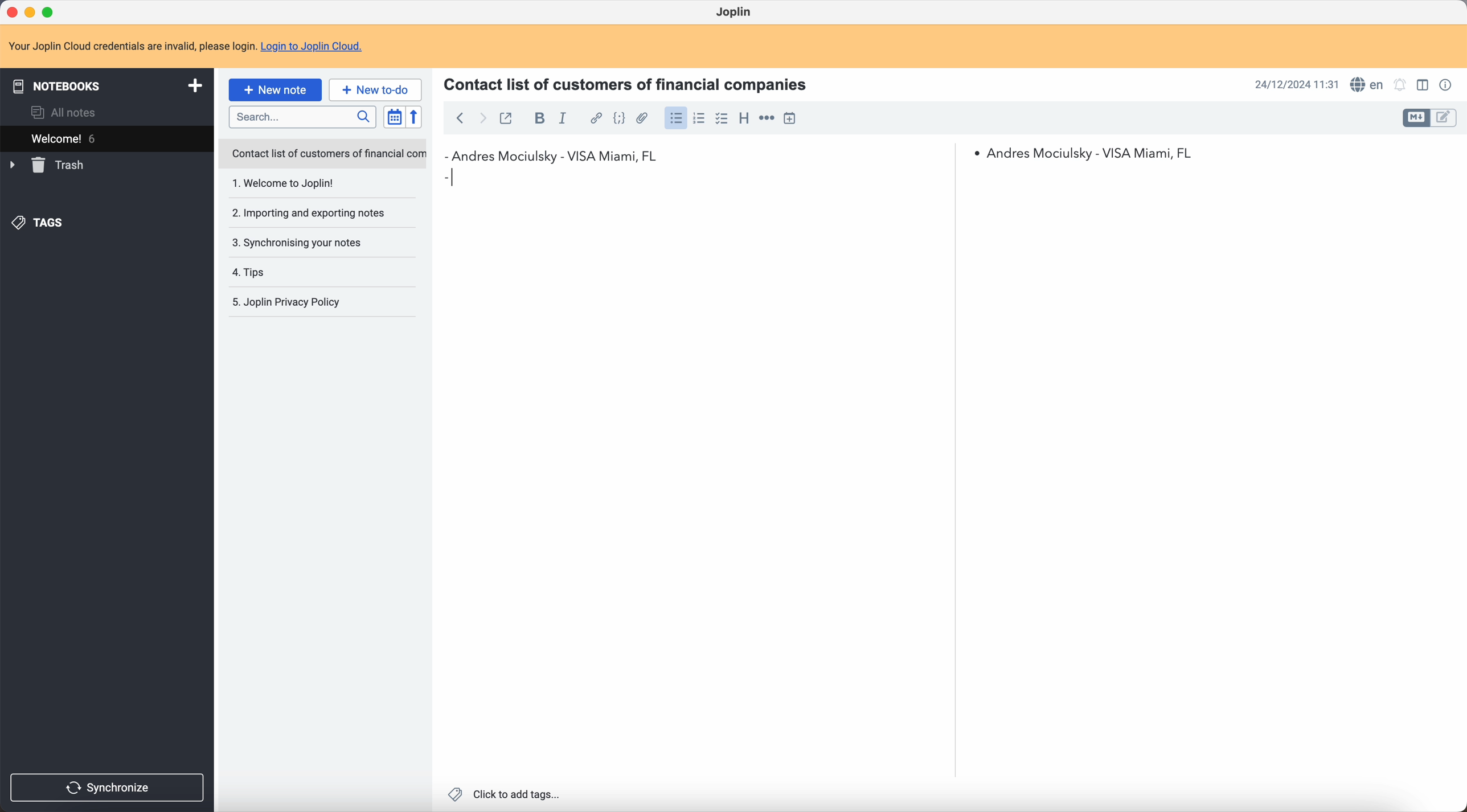 The image size is (1467, 812). Describe the element at coordinates (643, 118) in the screenshot. I see `attach file` at that location.